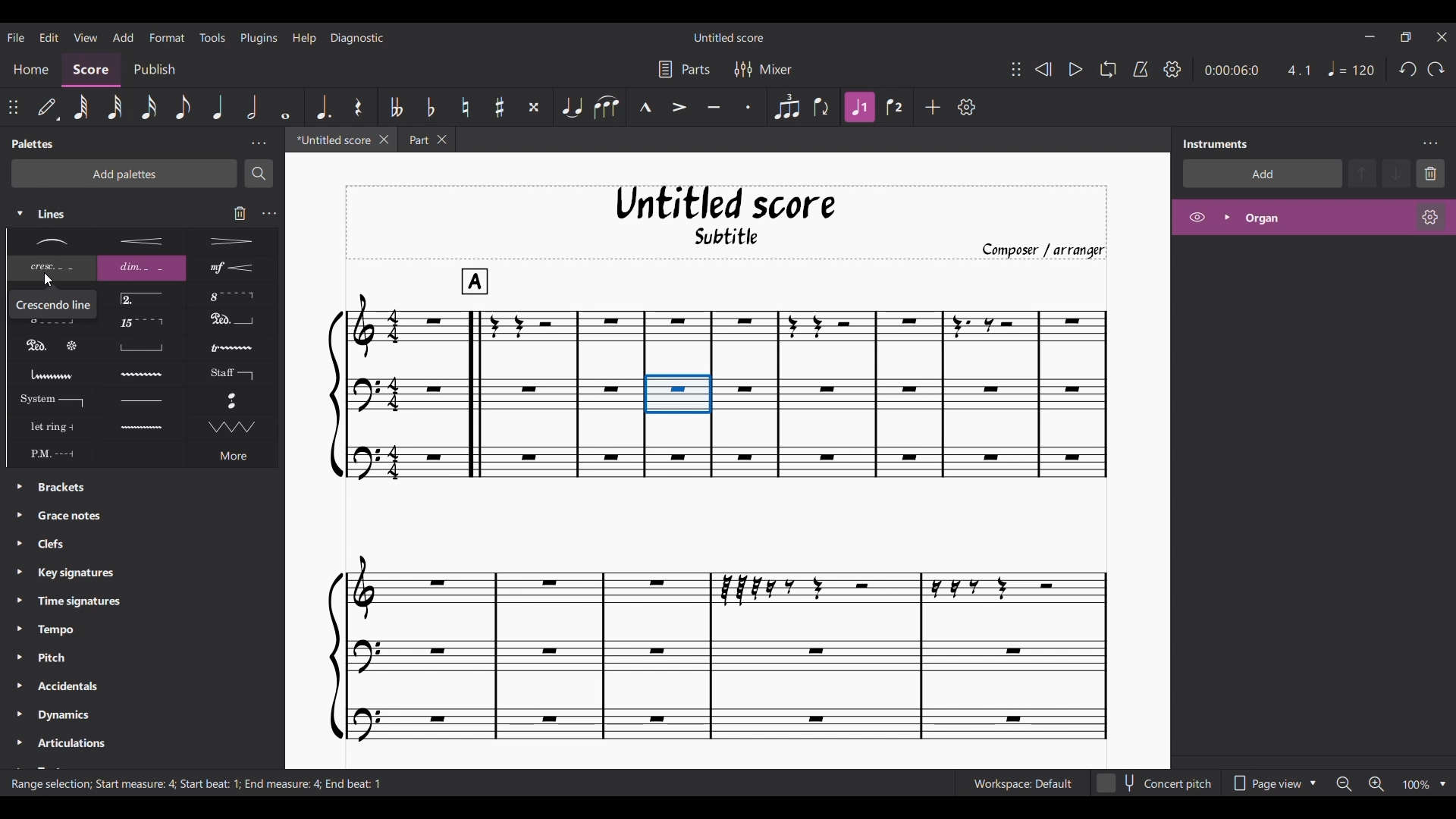  Describe the element at coordinates (331, 140) in the screenshot. I see `Current tab` at that location.